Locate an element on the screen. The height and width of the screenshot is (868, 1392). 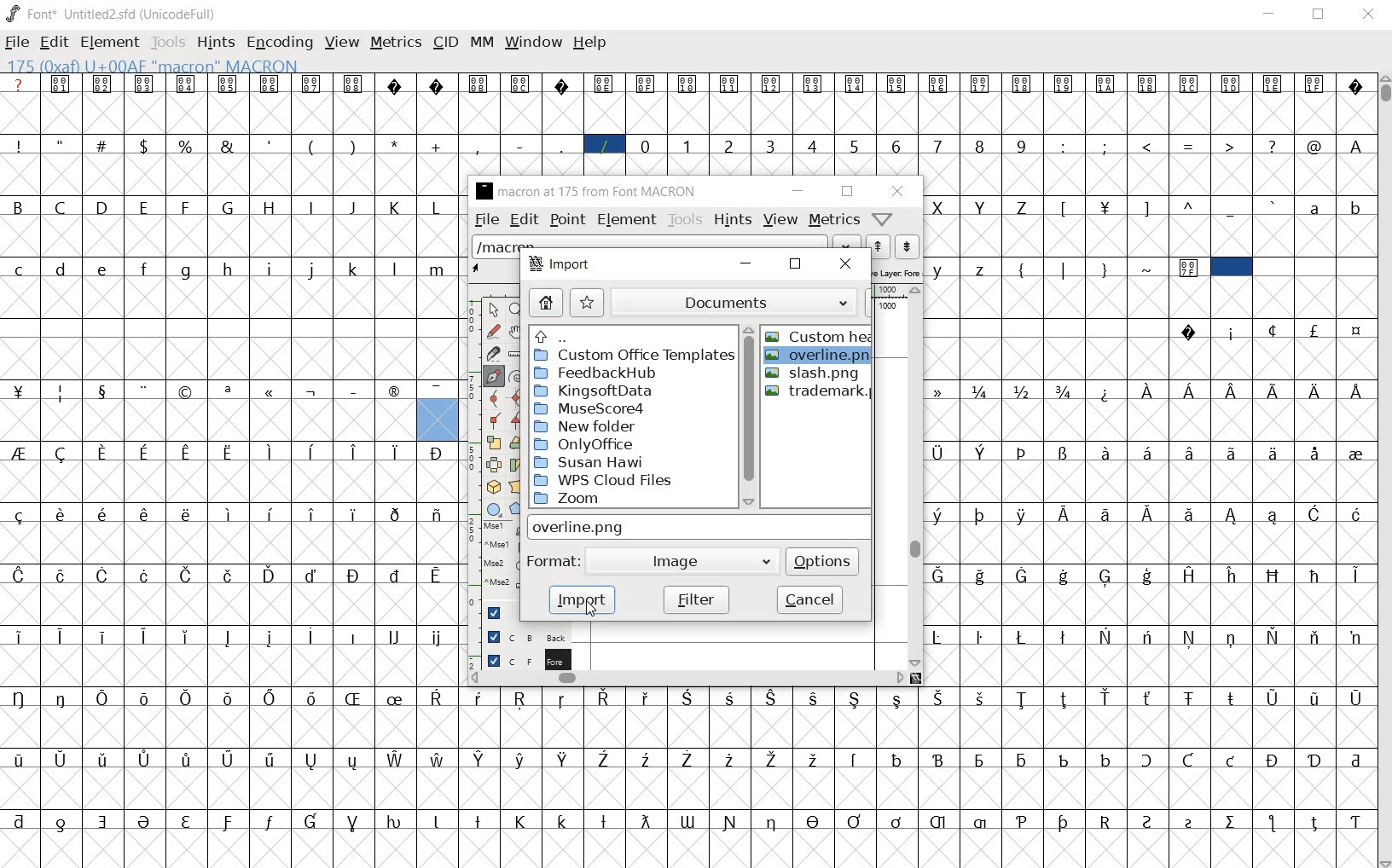
Symbol is located at coordinates (189, 575).